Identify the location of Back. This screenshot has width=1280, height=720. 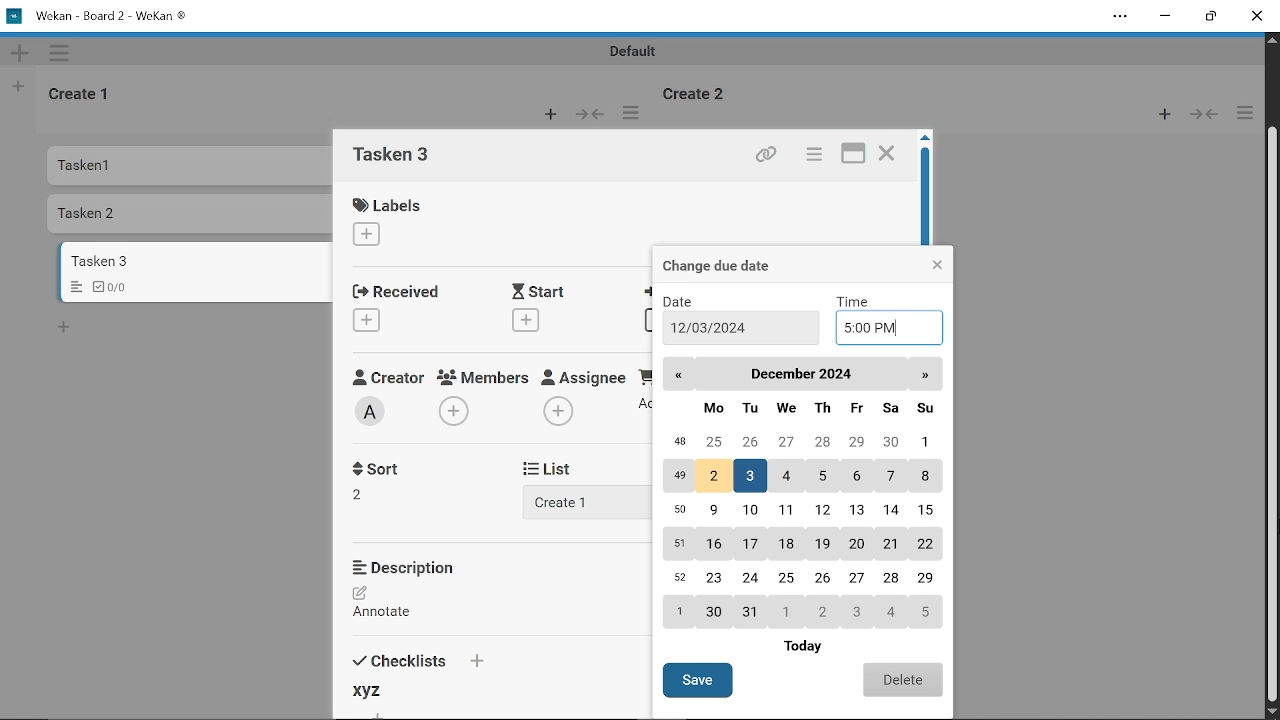
(681, 373).